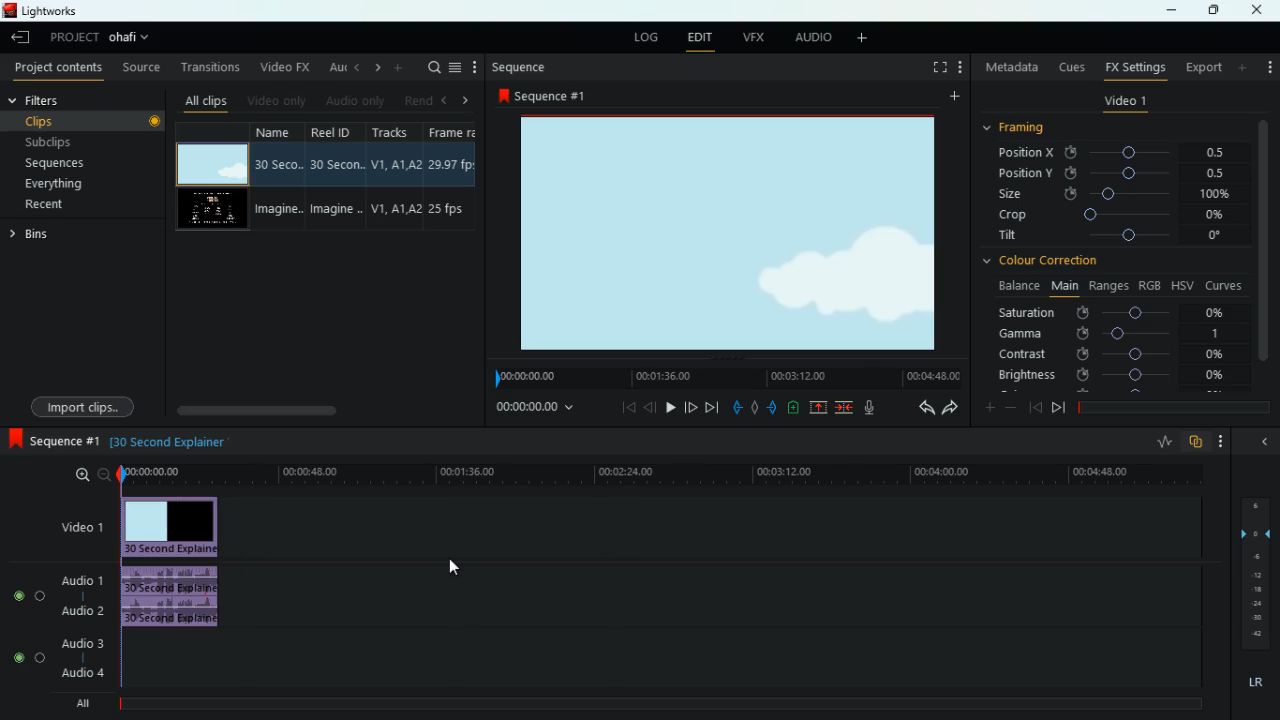  I want to click on tilt, so click(1112, 238).